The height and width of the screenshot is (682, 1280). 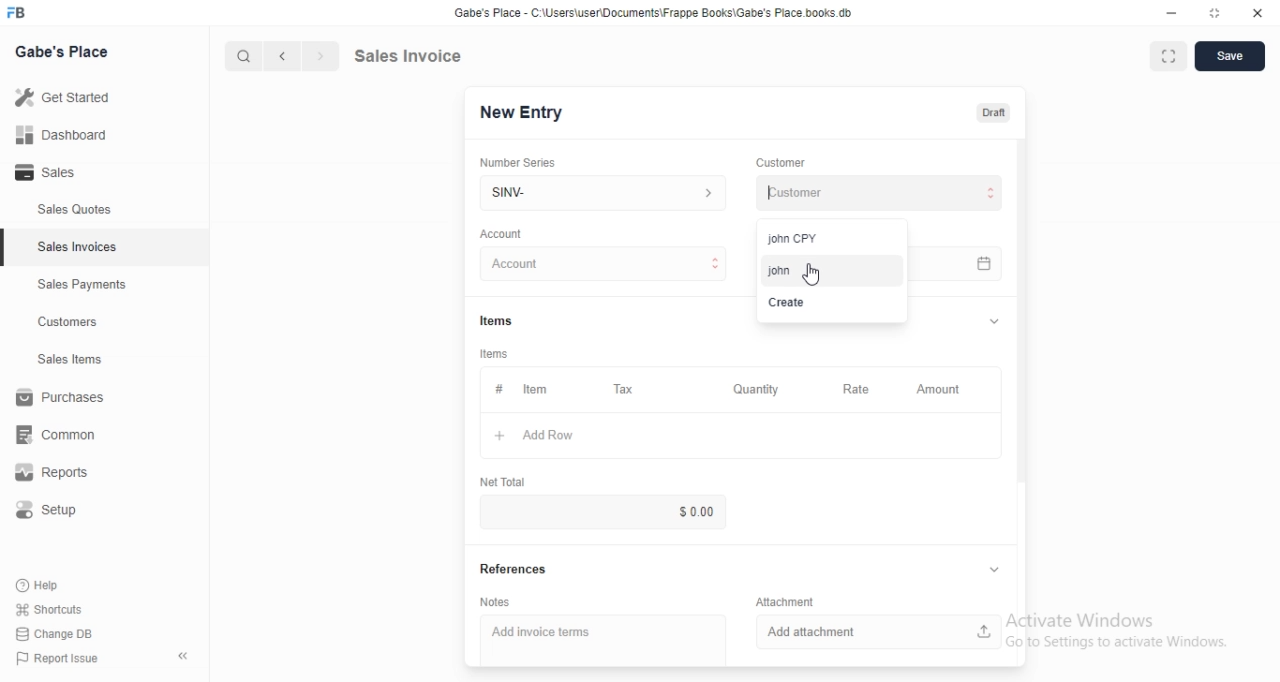 I want to click on tems, so click(x=497, y=354).